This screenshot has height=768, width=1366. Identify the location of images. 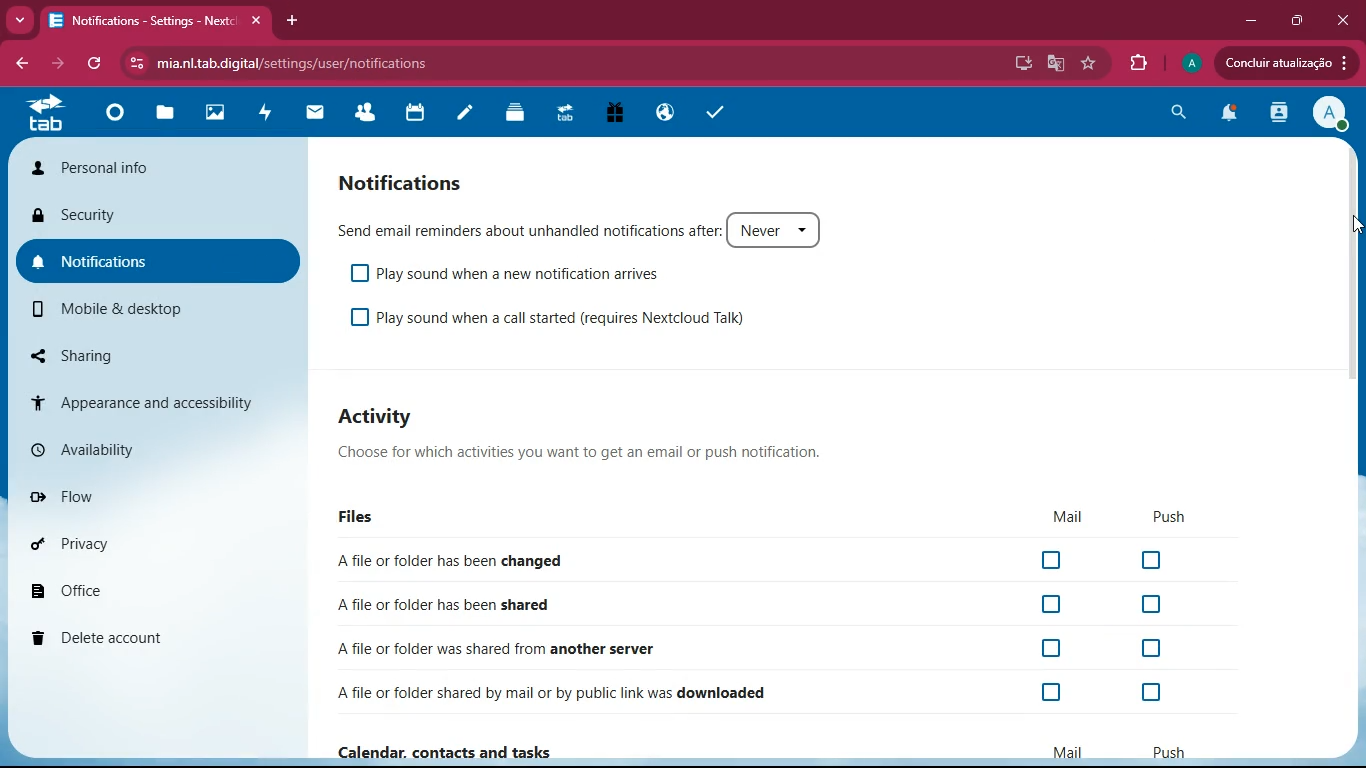
(213, 112).